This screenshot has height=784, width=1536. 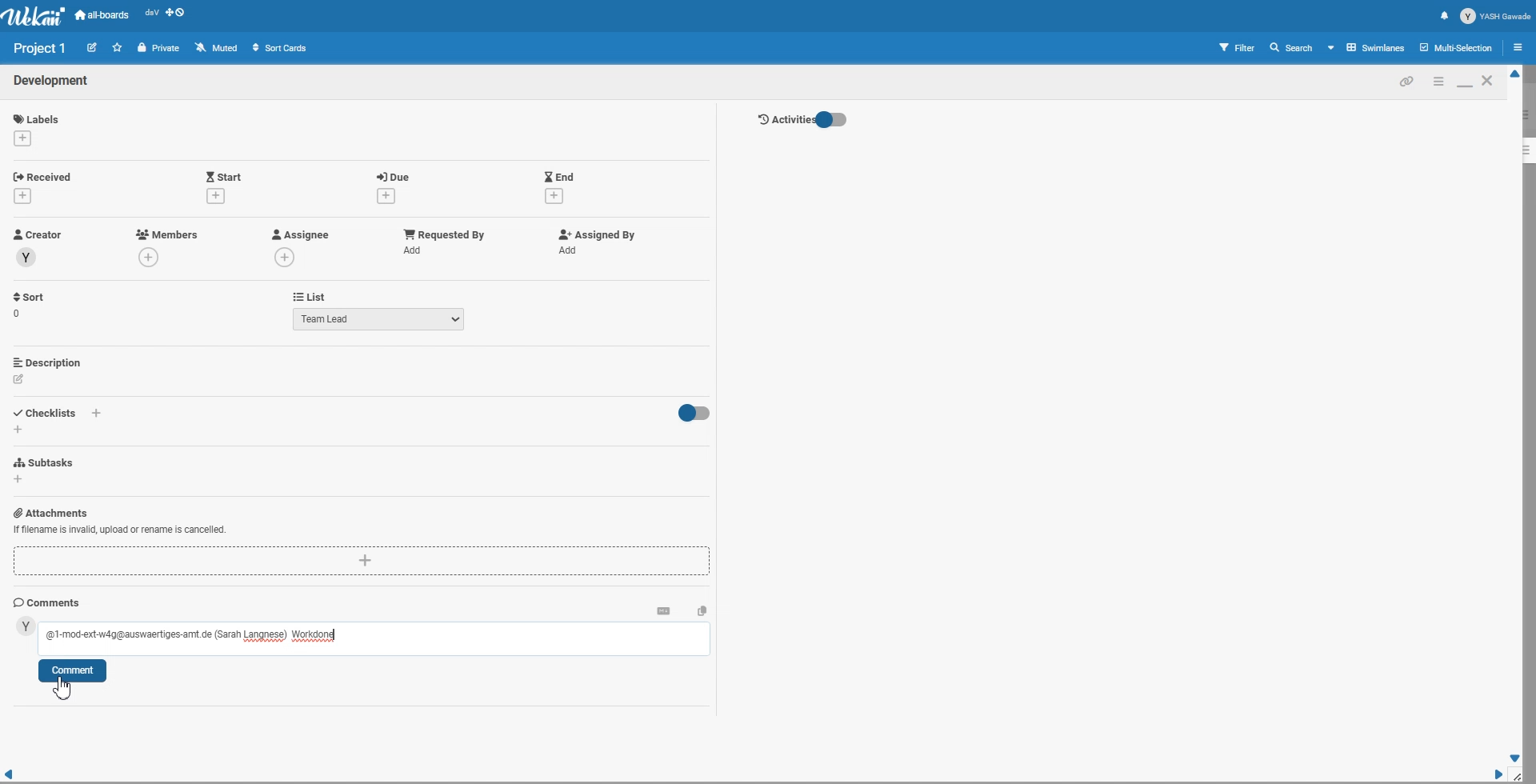 I want to click on Maximize, so click(x=1464, y=81).